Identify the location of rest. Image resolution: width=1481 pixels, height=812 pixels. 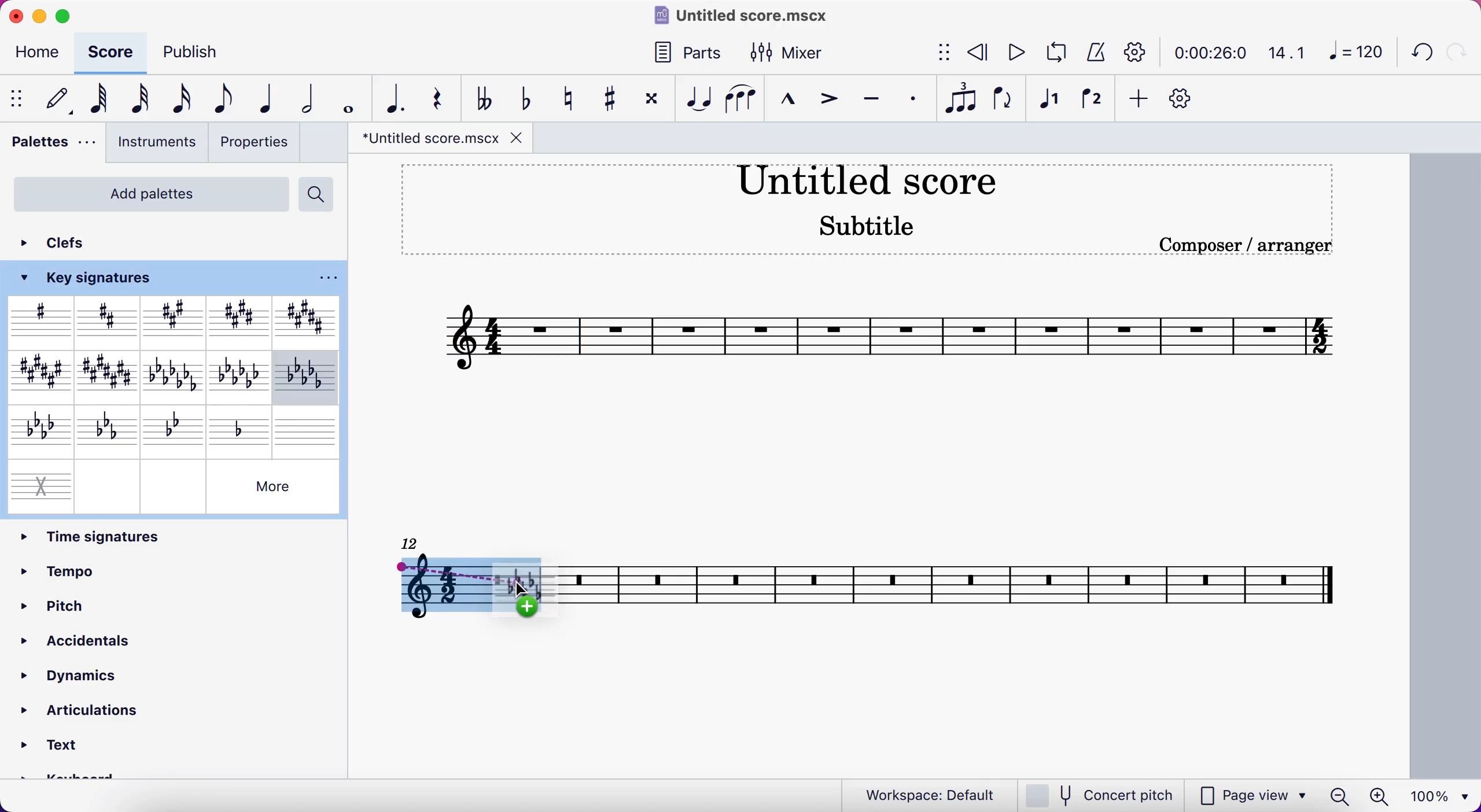
(443, 96).